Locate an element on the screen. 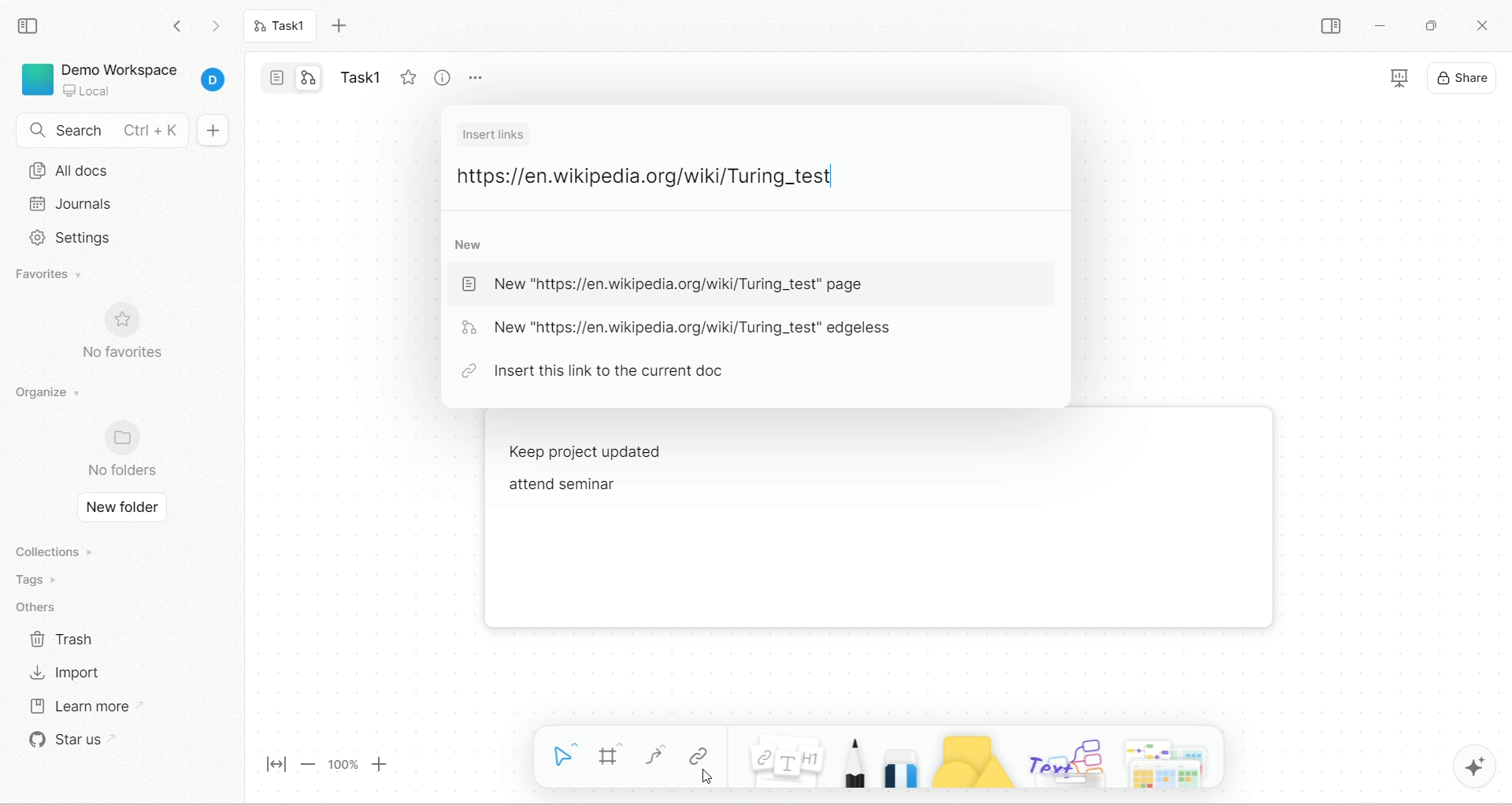 The height and width of the screenshot is (805, 1512). no folders is located at coordinates (126, 448).